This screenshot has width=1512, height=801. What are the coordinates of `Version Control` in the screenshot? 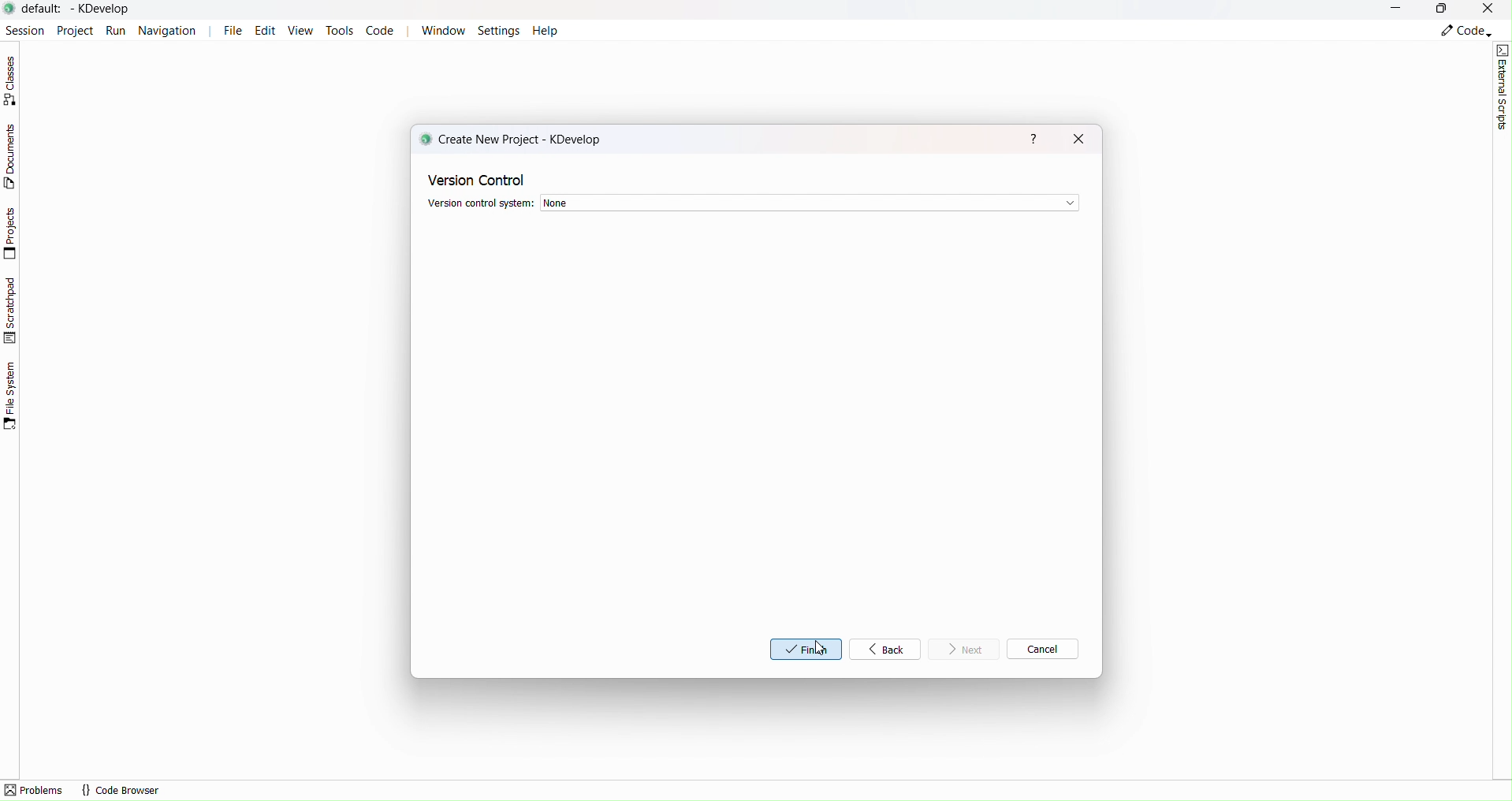 It's located at (479, 179).